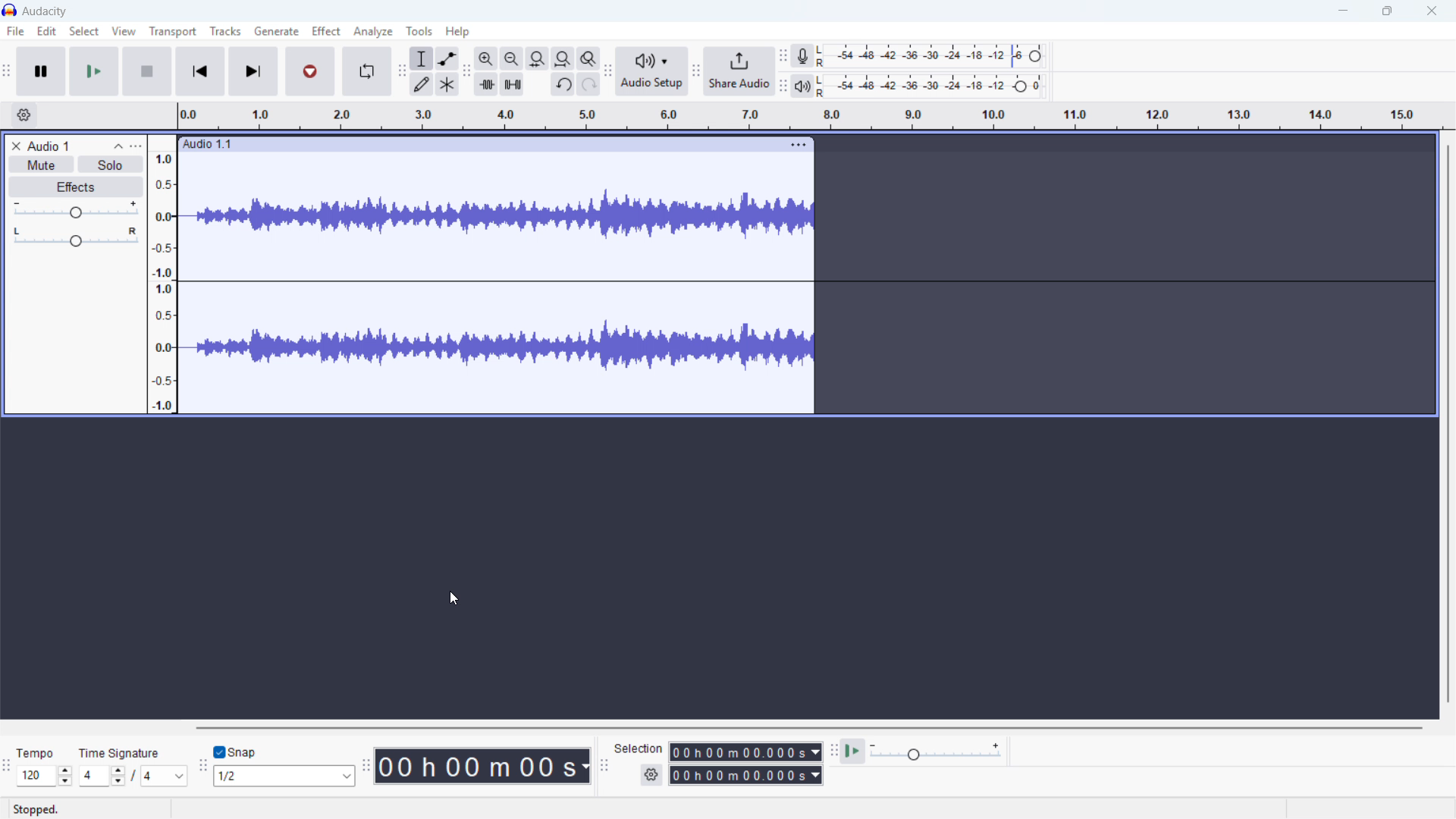  What do you see at coordinates (45, 12) in the screenshot?
I see `title ` at bounding box center [45, 12].